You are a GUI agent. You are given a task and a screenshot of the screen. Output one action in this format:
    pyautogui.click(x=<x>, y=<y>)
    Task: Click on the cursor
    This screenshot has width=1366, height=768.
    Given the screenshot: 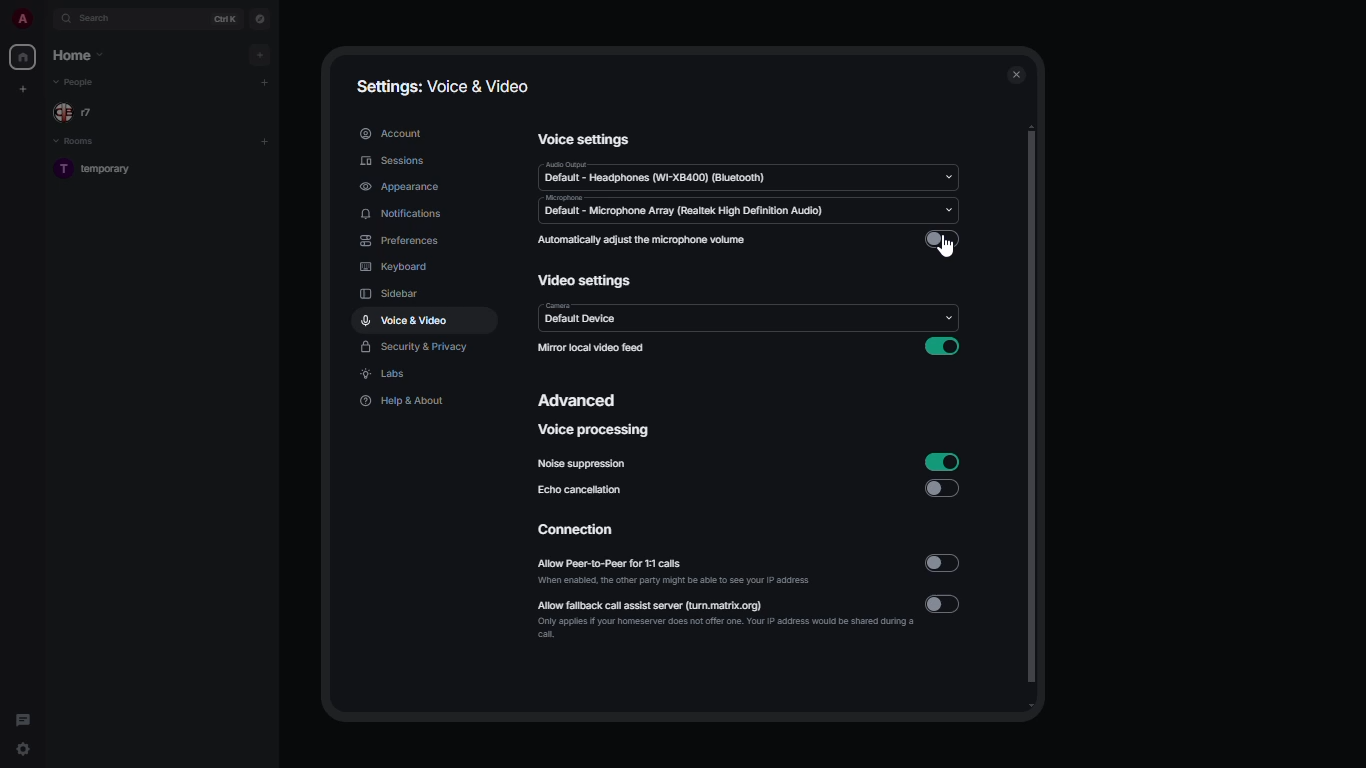 What is the action you would take?
    pyautogui.click(x=946, y=251)
    